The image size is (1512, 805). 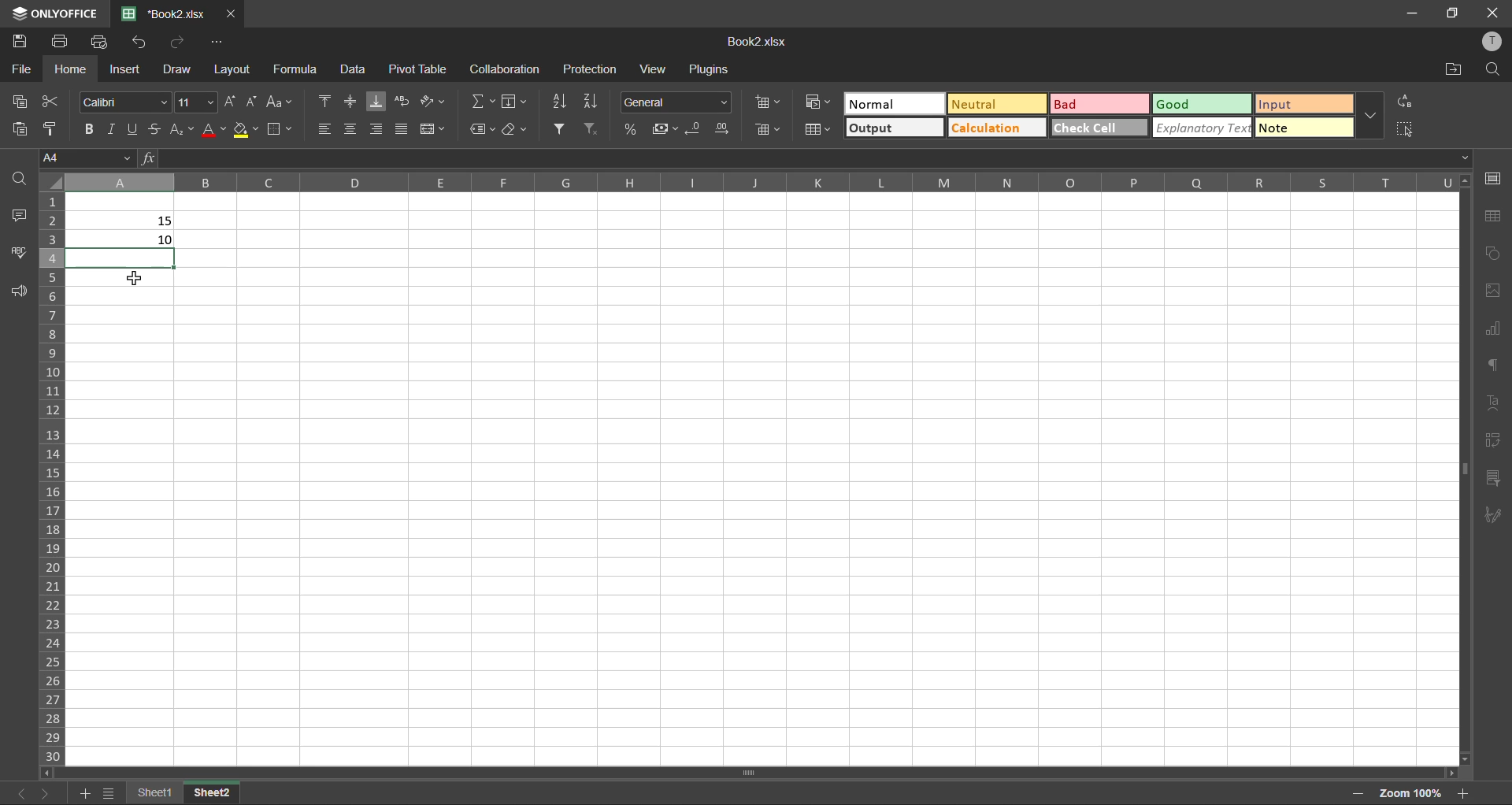 I want to click on increment size, so click(x=230, y=101).